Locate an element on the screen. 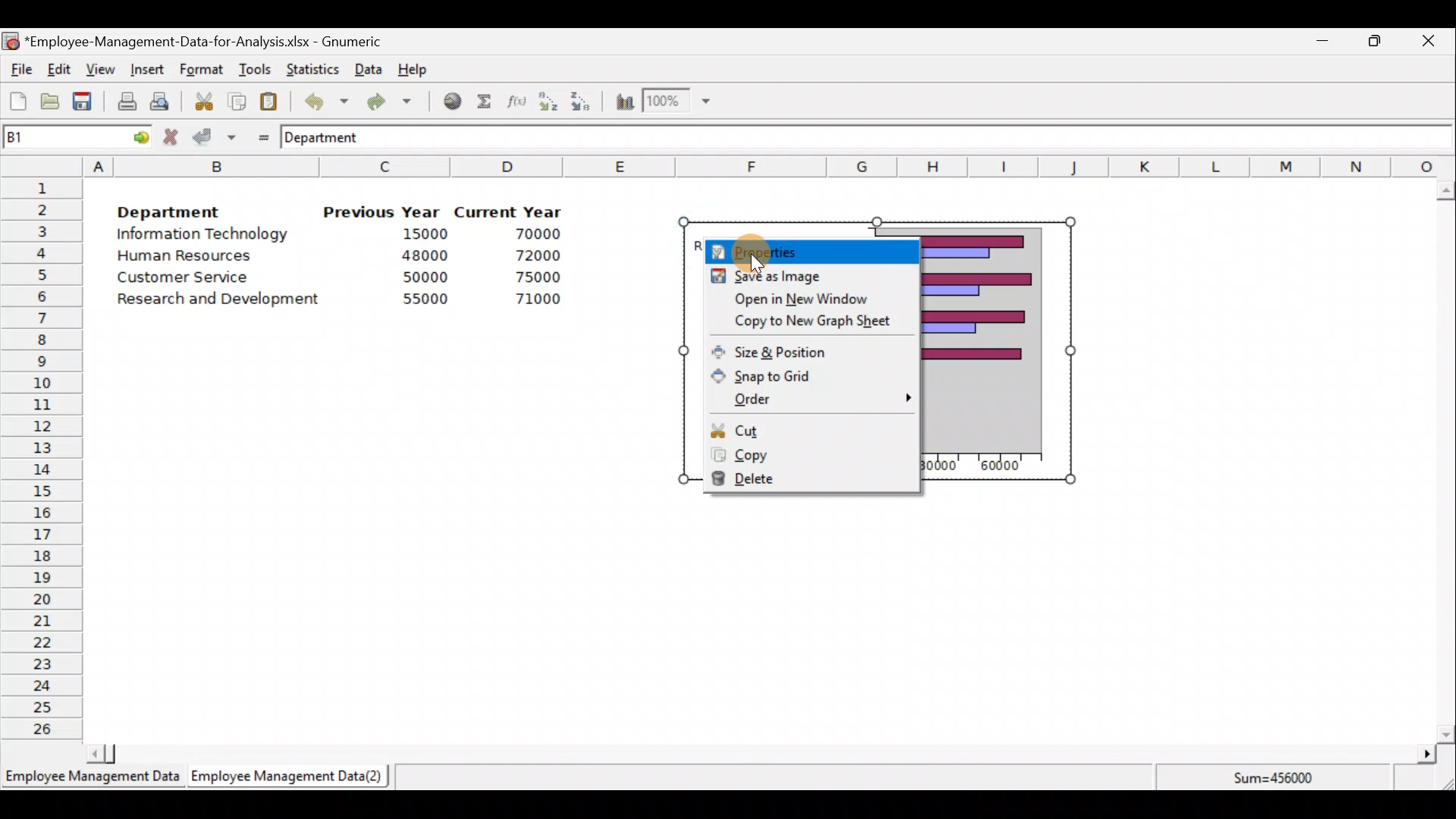 Image resolution: width=1456 pixels, height=819 pixels. Insert is located at coordinates (146, 70).